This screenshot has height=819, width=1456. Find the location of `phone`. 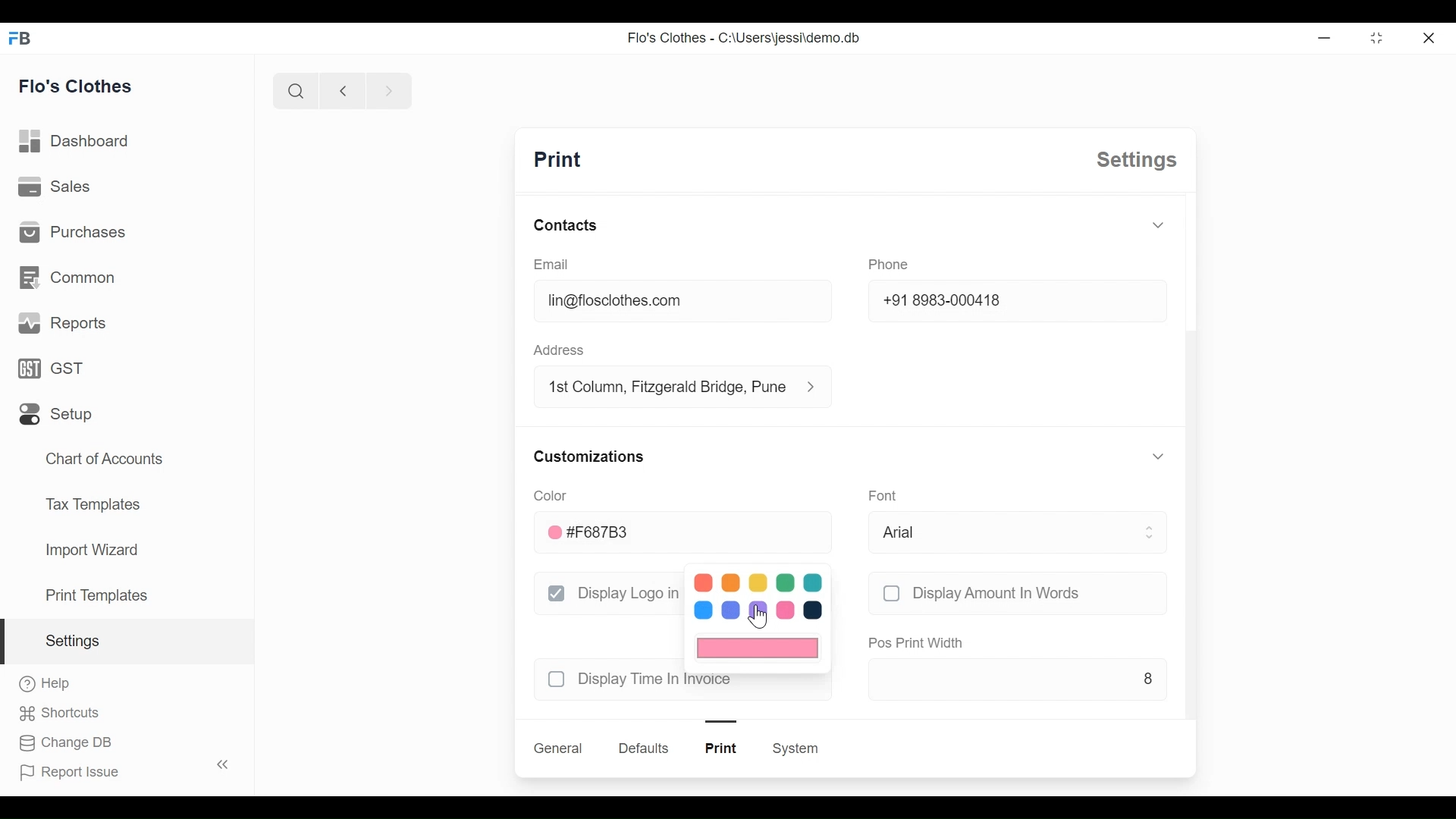

phone is located at coordinates (889, 265).